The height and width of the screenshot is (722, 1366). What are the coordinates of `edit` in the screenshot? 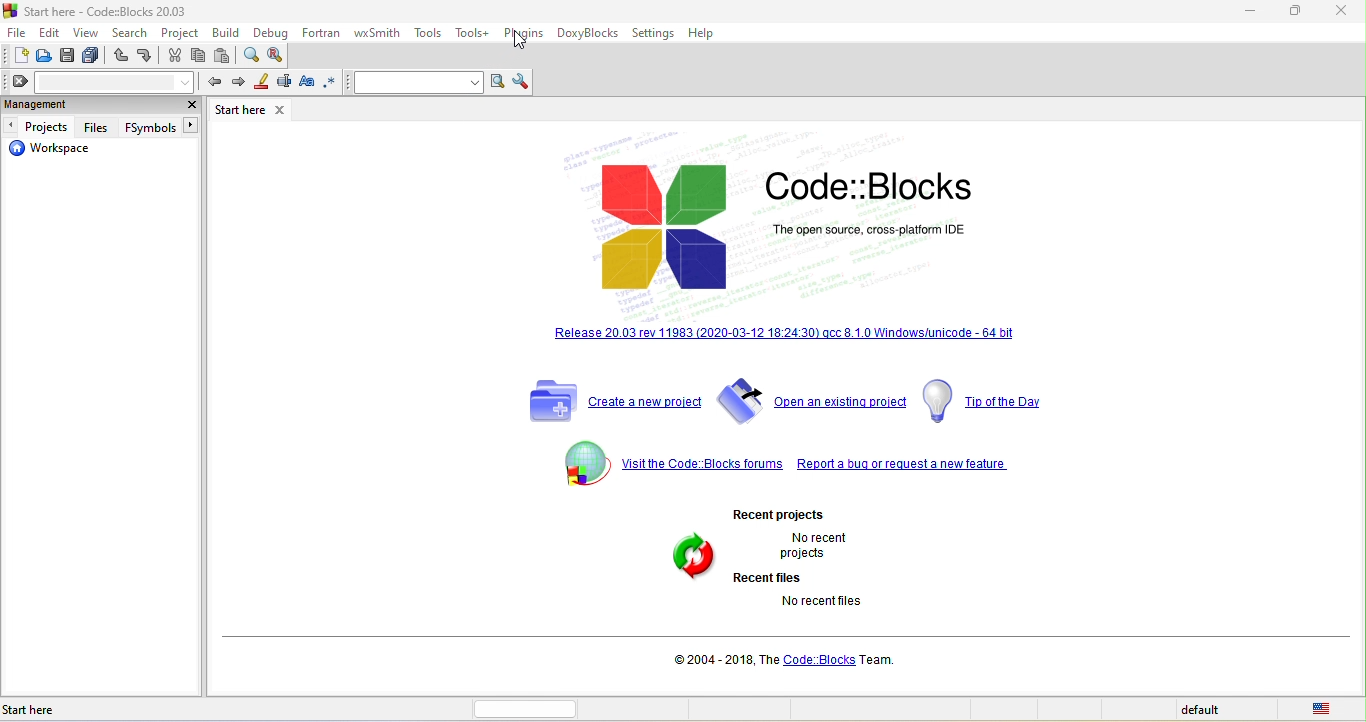 It's located at (49, 31).